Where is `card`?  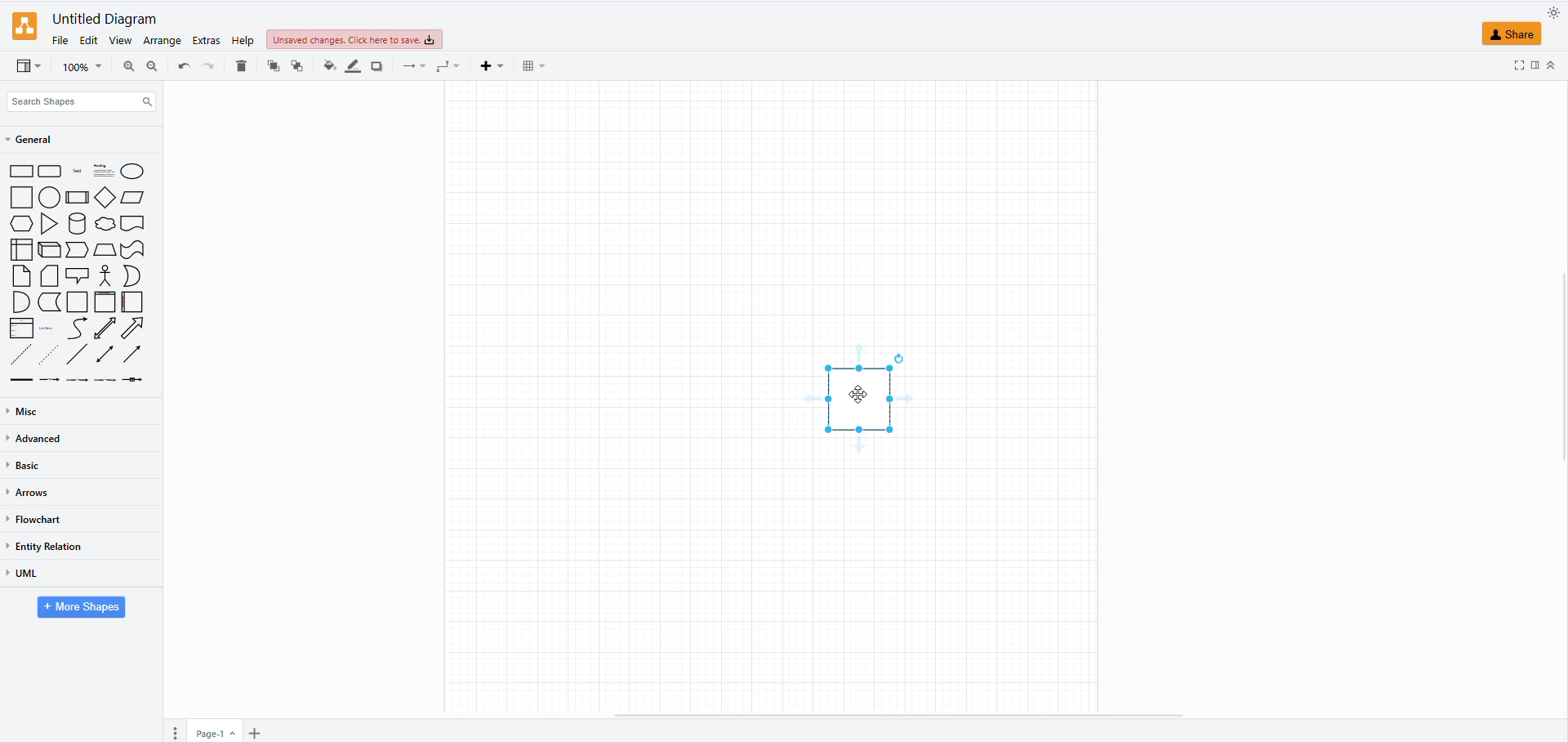
card is located at coordinates (51, 277).